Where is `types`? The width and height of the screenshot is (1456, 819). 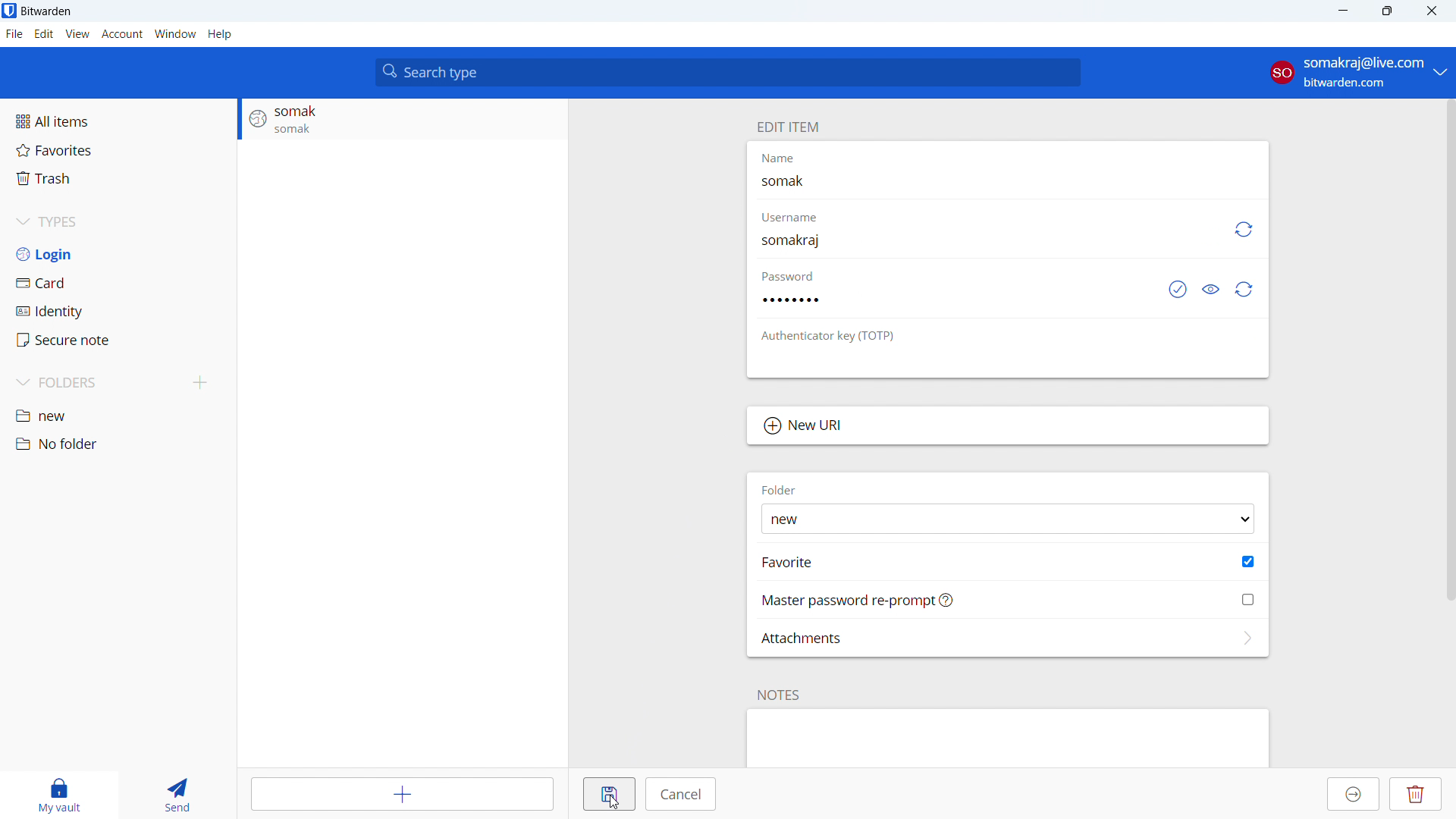 types is located at coordinates (118, 221).